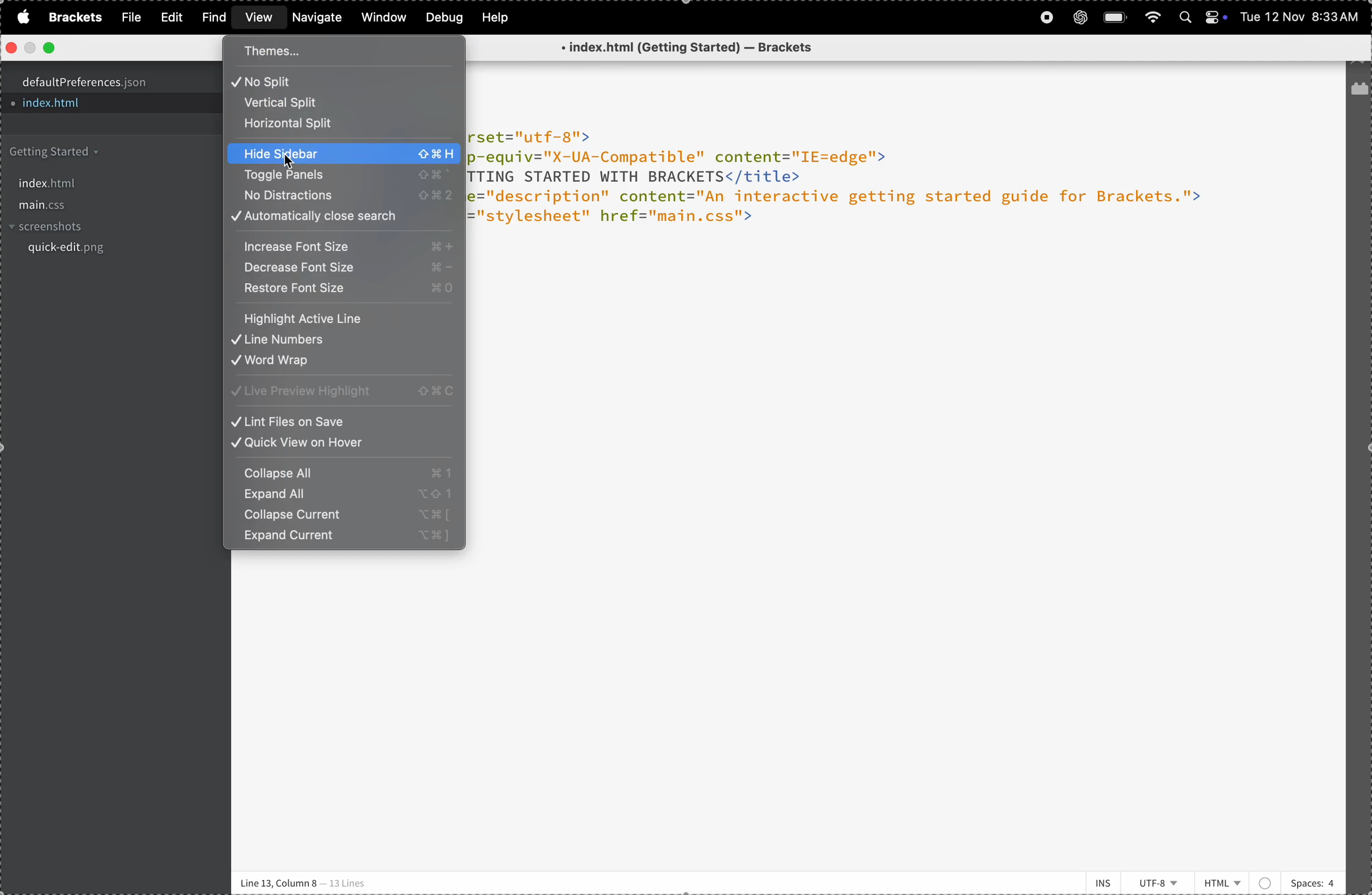 The width and height of the screenshot is (1372, 895). Describe the element at coordinates (1187, 18) in the screenshot. I see `Search icon` at that location.